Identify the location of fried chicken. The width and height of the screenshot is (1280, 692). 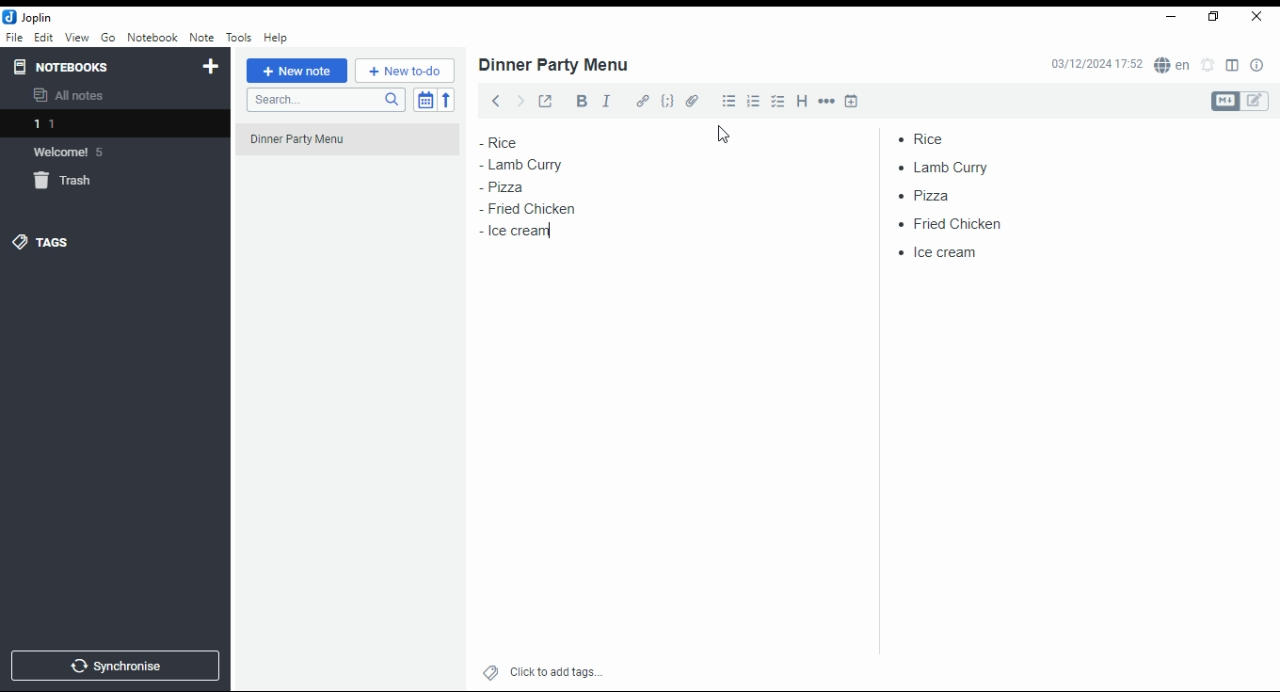
(534, 209).